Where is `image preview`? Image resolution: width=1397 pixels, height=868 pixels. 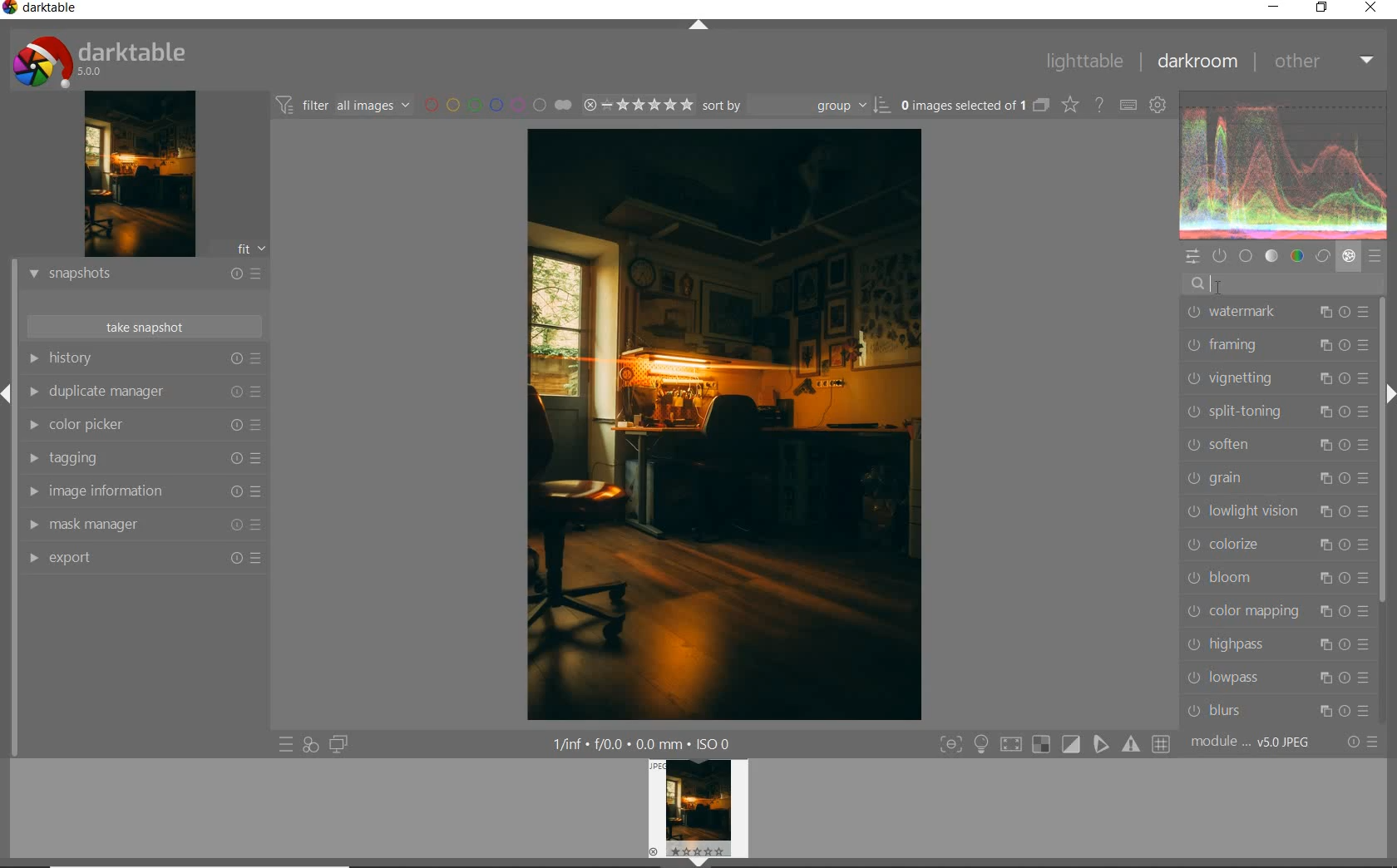
image preview is located at coordinates (698, 813).